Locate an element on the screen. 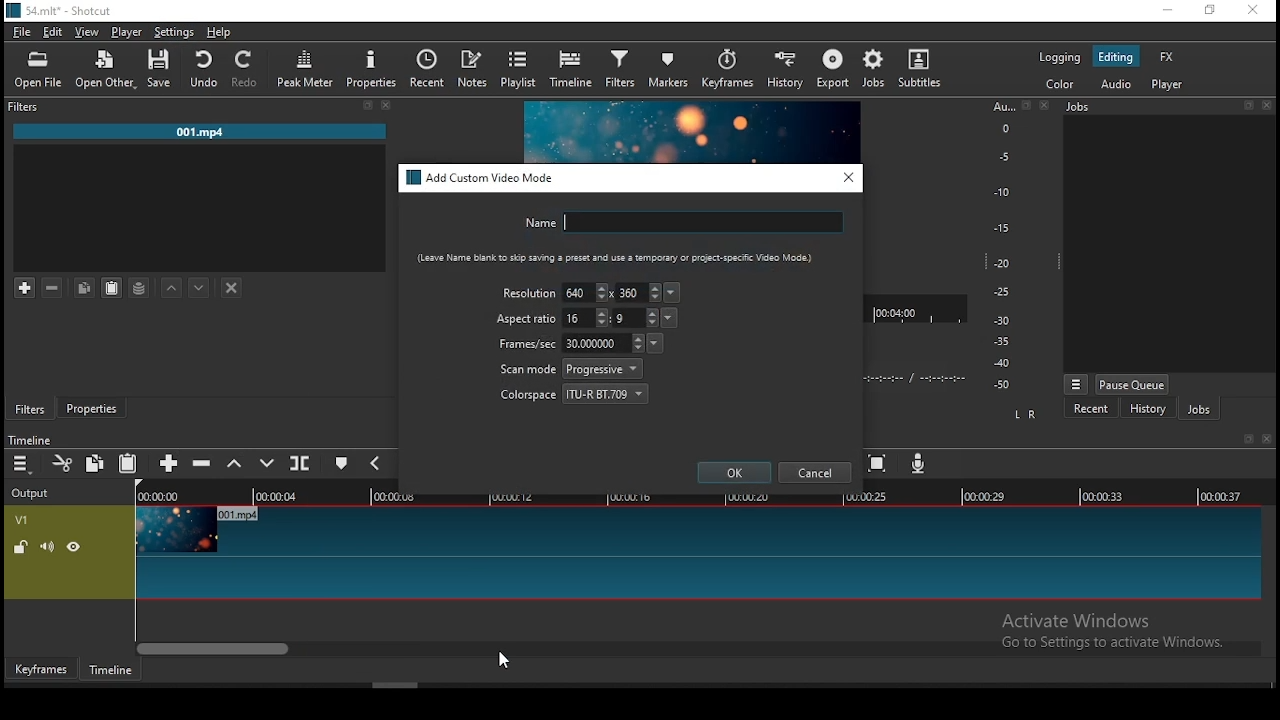 The width and height of the screenshot is (1280, 720). name is located at coordinates (681, 222).